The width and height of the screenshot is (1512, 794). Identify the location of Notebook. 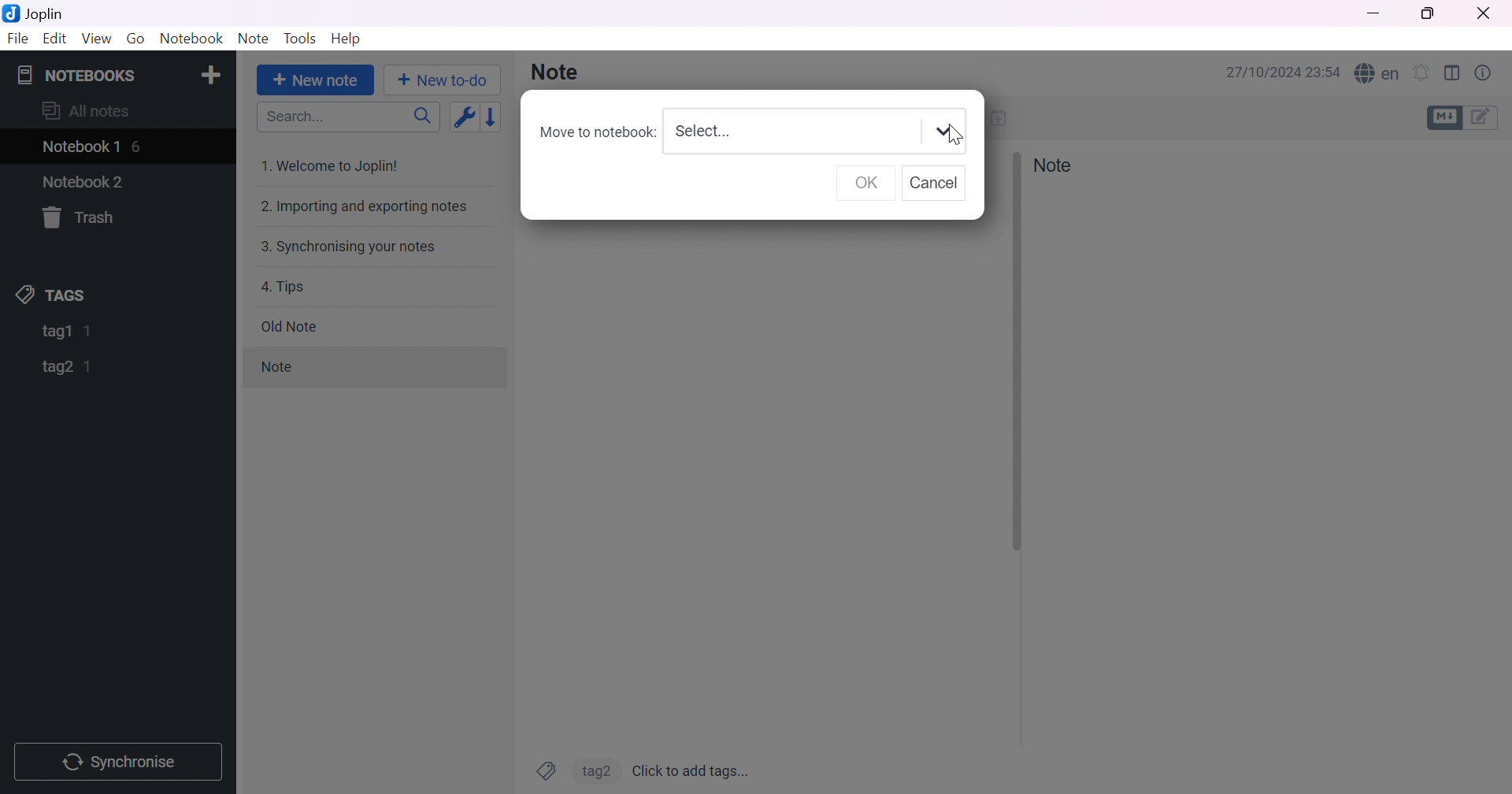
(188, 39).